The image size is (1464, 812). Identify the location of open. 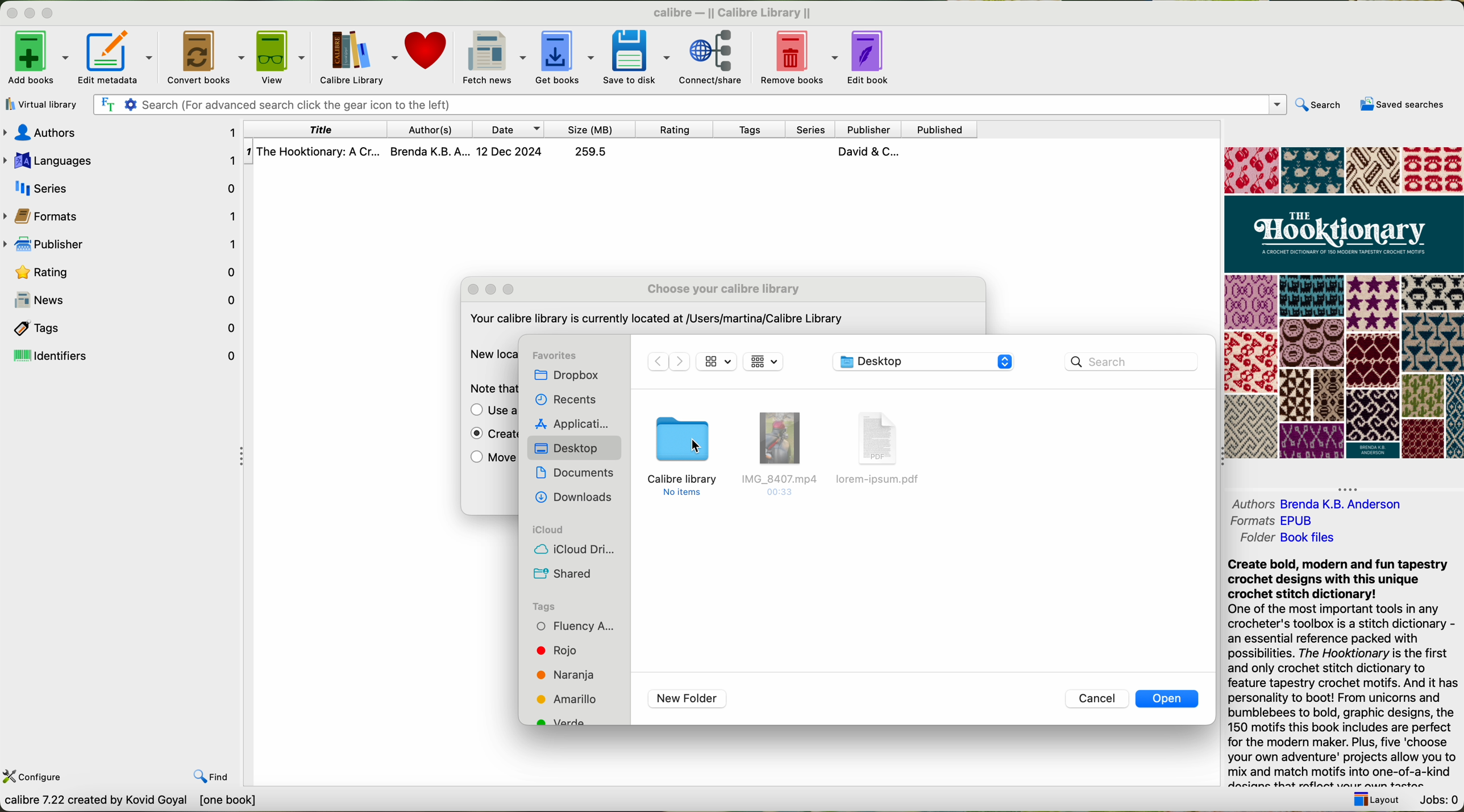
(1167, 699).